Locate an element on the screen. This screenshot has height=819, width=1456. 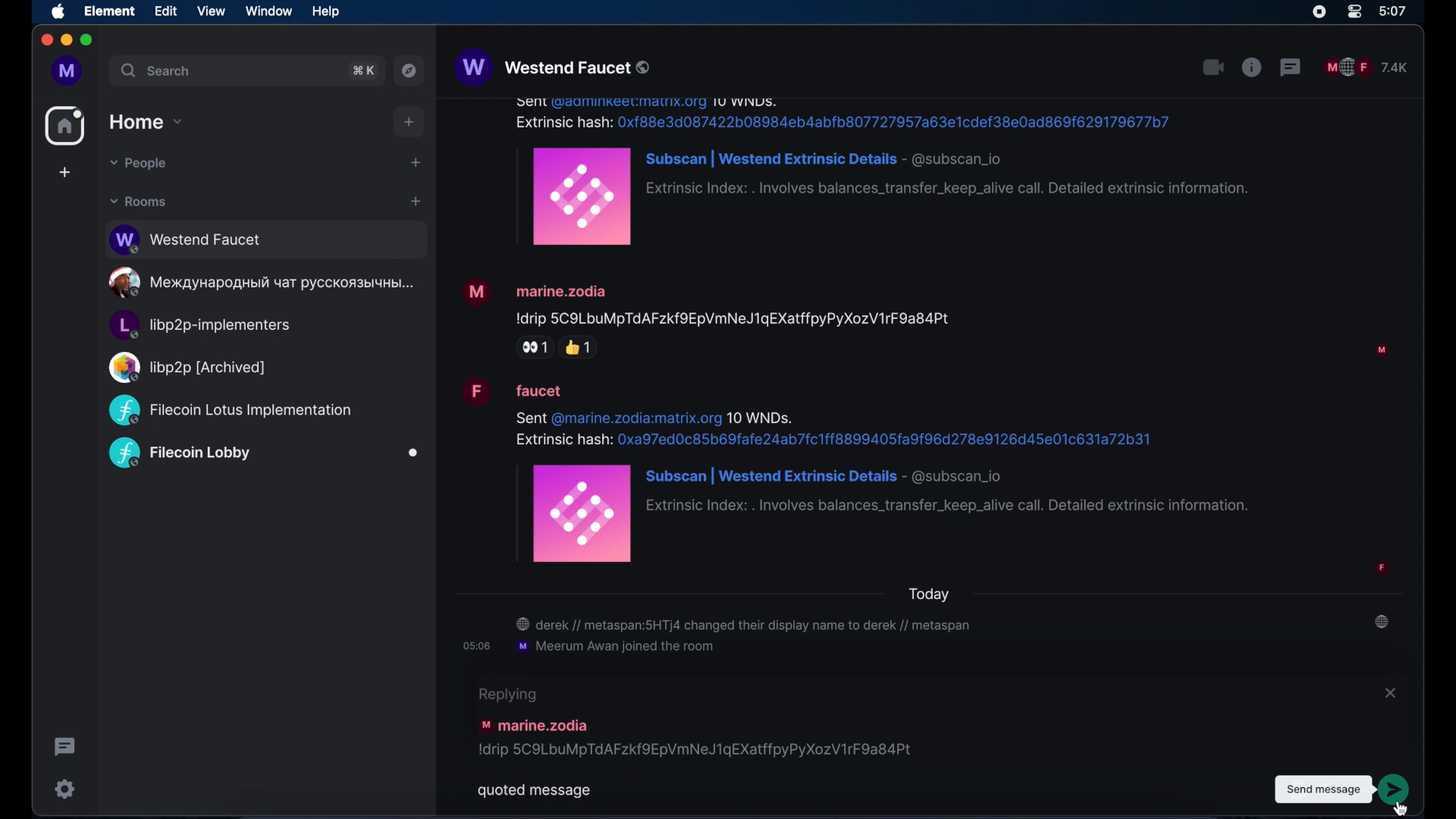
home drop down is located at coordinates (146, 121).